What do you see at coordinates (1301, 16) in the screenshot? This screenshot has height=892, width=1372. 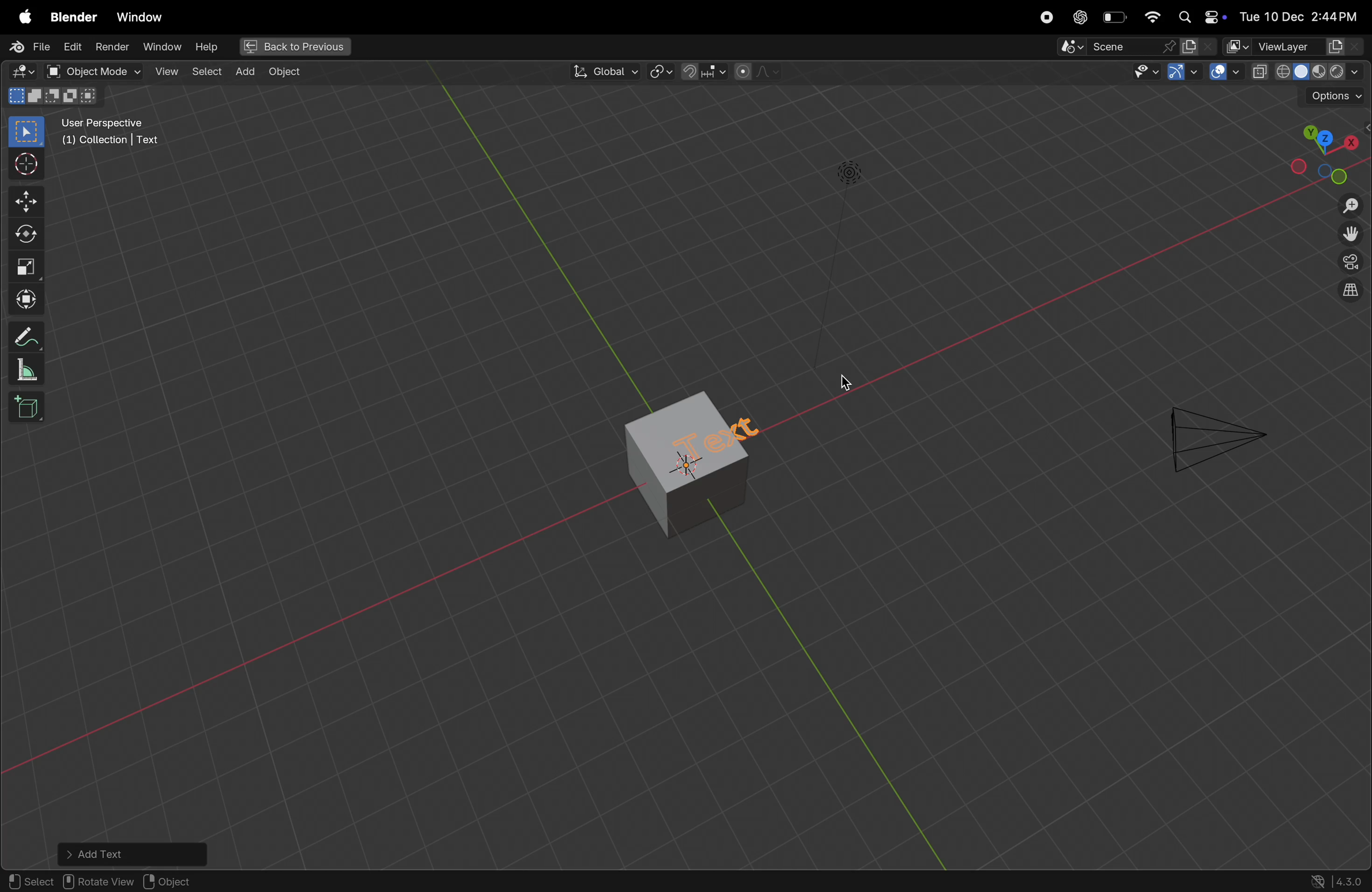 I see `dateand time` at bounding box center [1301, 16].